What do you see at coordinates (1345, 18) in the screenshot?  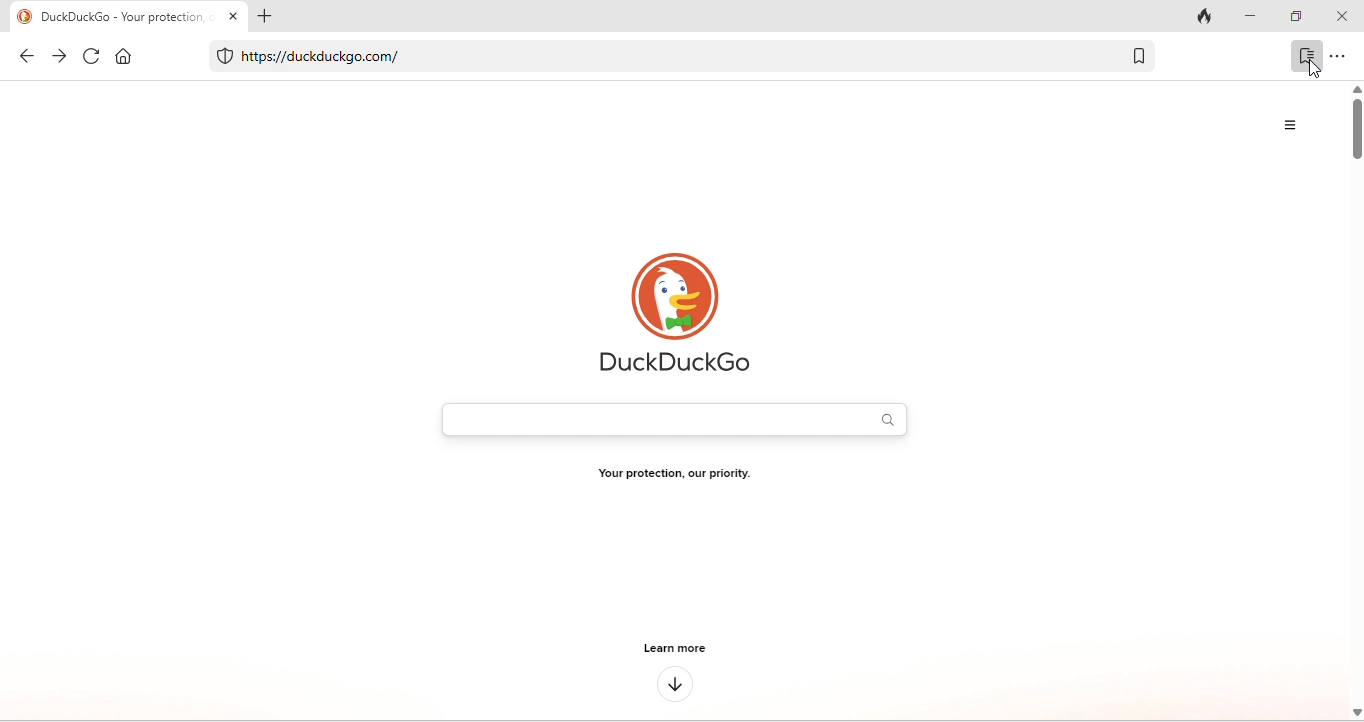 I see `close` at bounding box center [1345, 18].